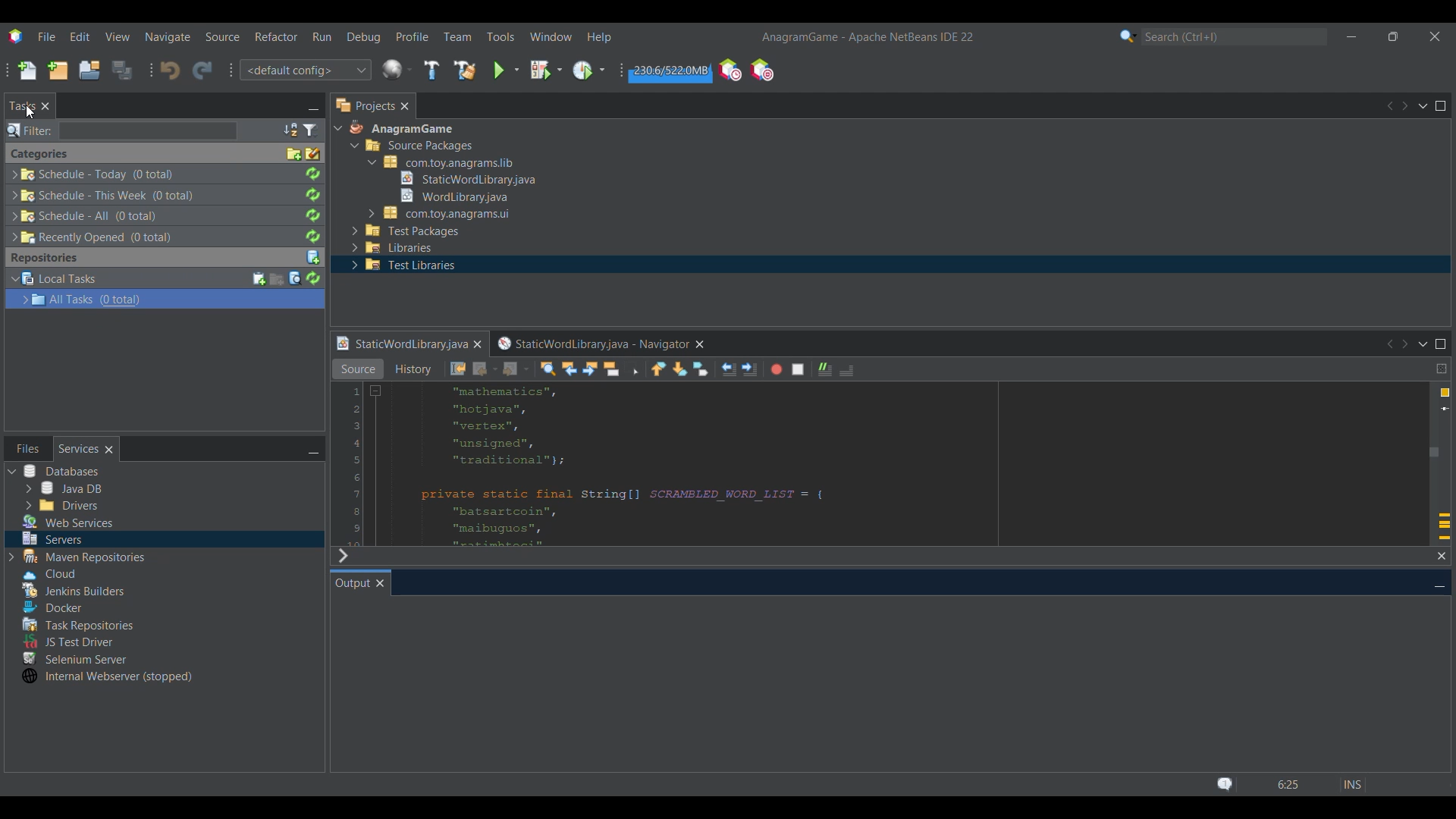 Image resolution: width=1456 pixels, height=819 pixels. What do you see at coordinates (1404, 105) in the screenshot?
I see `Next` at bounding box center [1404, 105].